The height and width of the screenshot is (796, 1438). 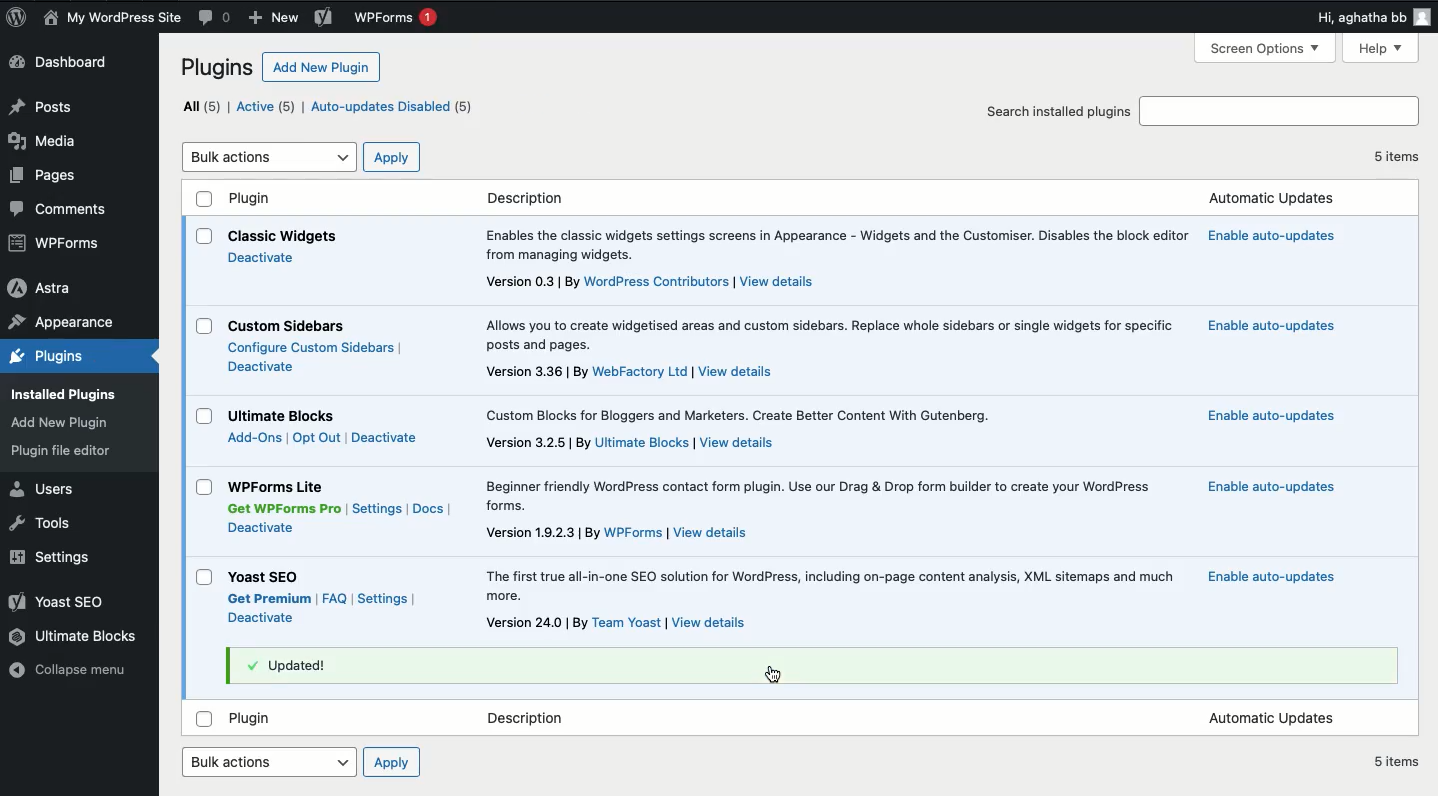 I want to click on Plugin, so click(x=253, y=198).